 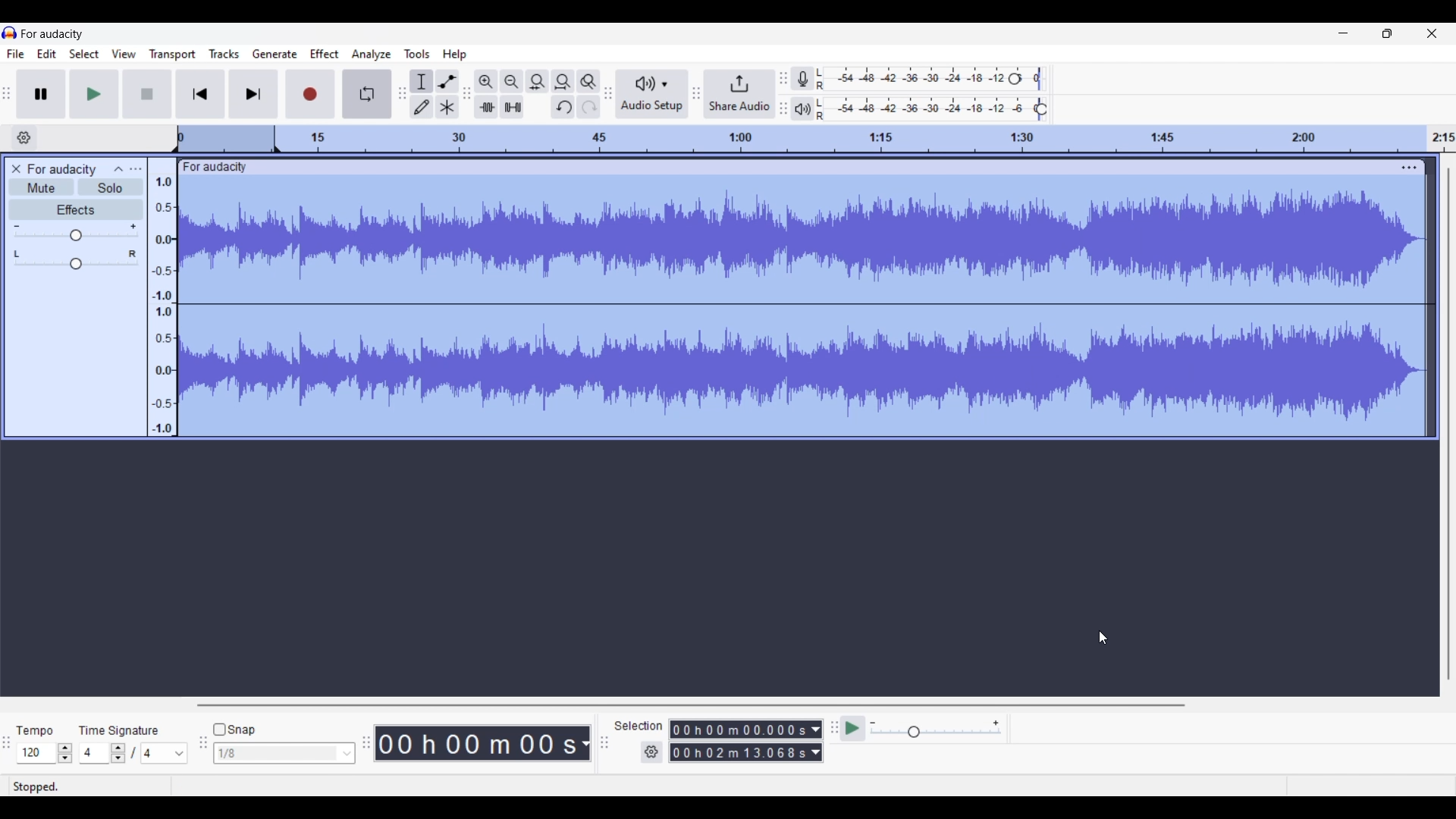 What do you see at coordinates (165, 754) in the screenshot?
I see `Max. time signature options` at bounding box center [165, 754].